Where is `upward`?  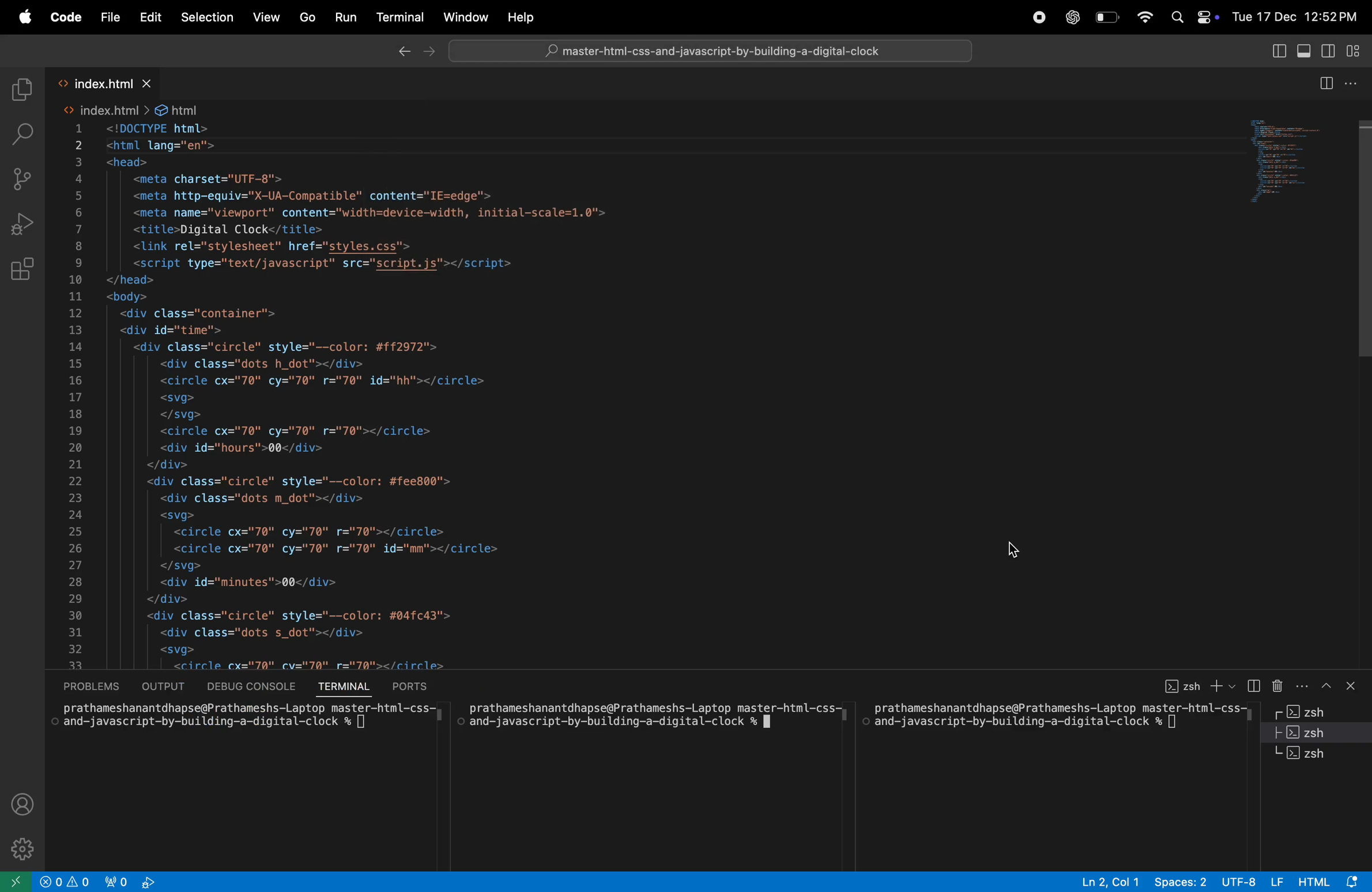 upward is located at coordinates (1324, 685).